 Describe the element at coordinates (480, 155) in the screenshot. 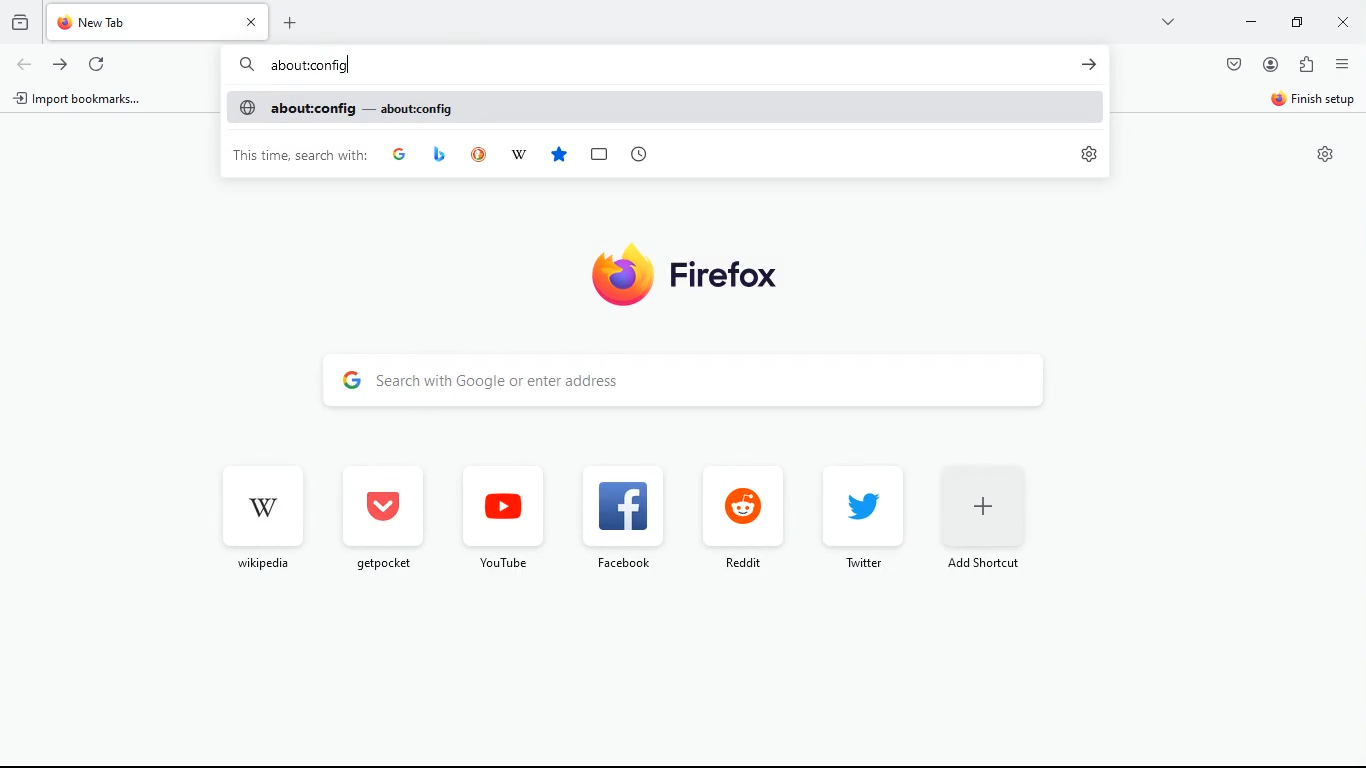

I see `DuckDuckGo` at that location.